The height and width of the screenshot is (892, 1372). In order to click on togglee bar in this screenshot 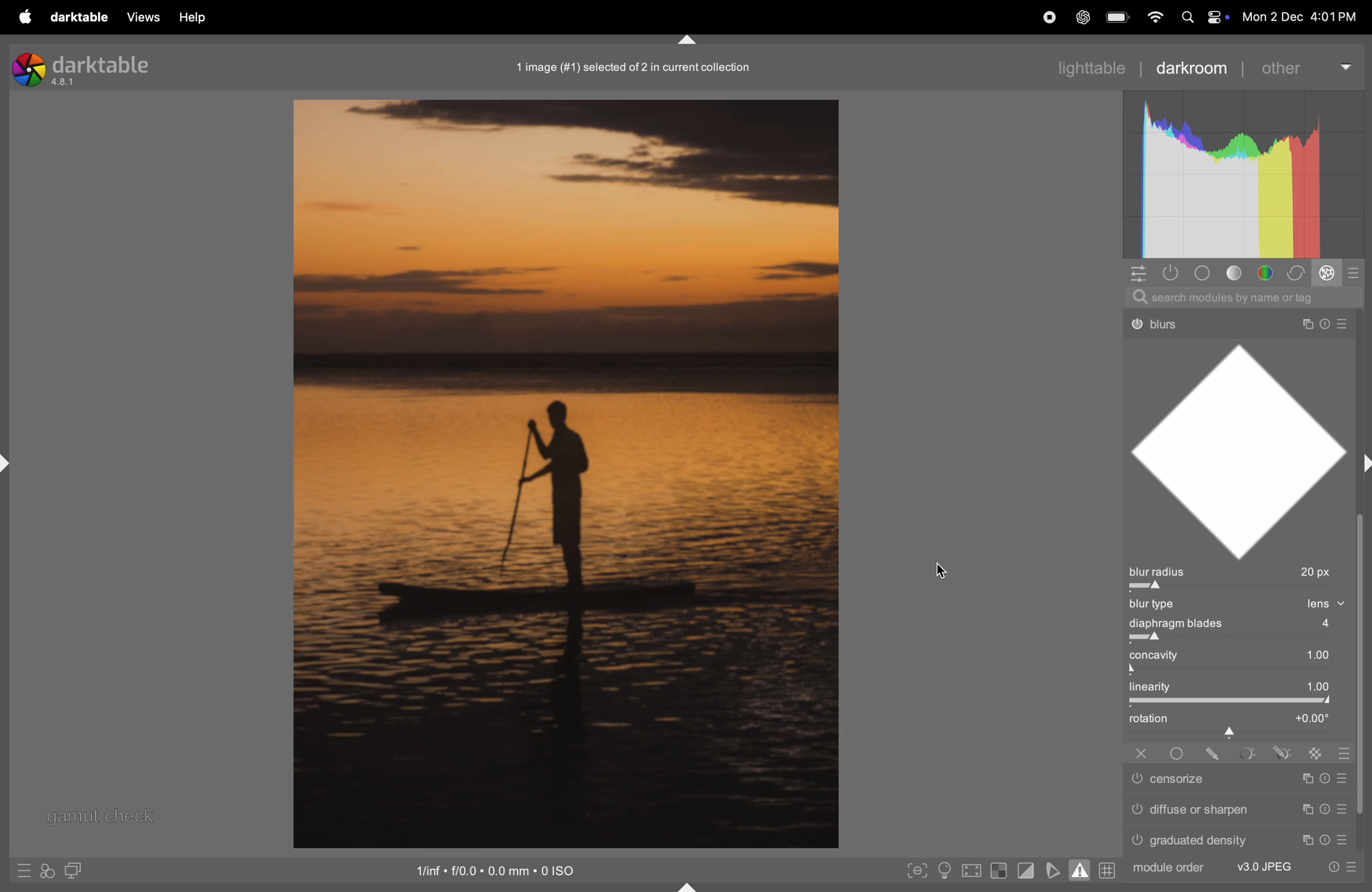, I will do `click(1234, 701)`.